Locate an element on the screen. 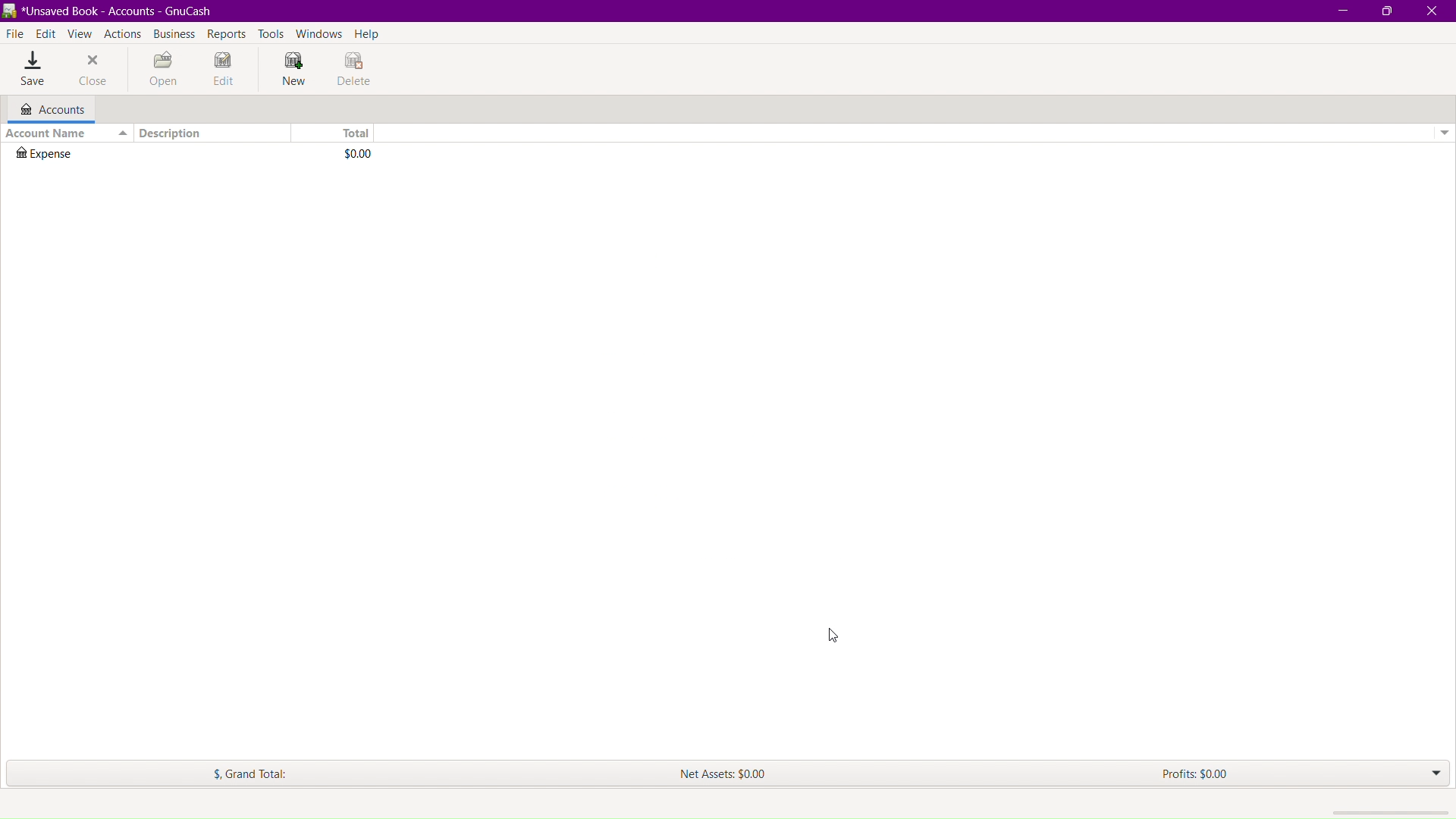 The height and width of the screenshot is (819, 1456). File is located at coordinates (17, 32).